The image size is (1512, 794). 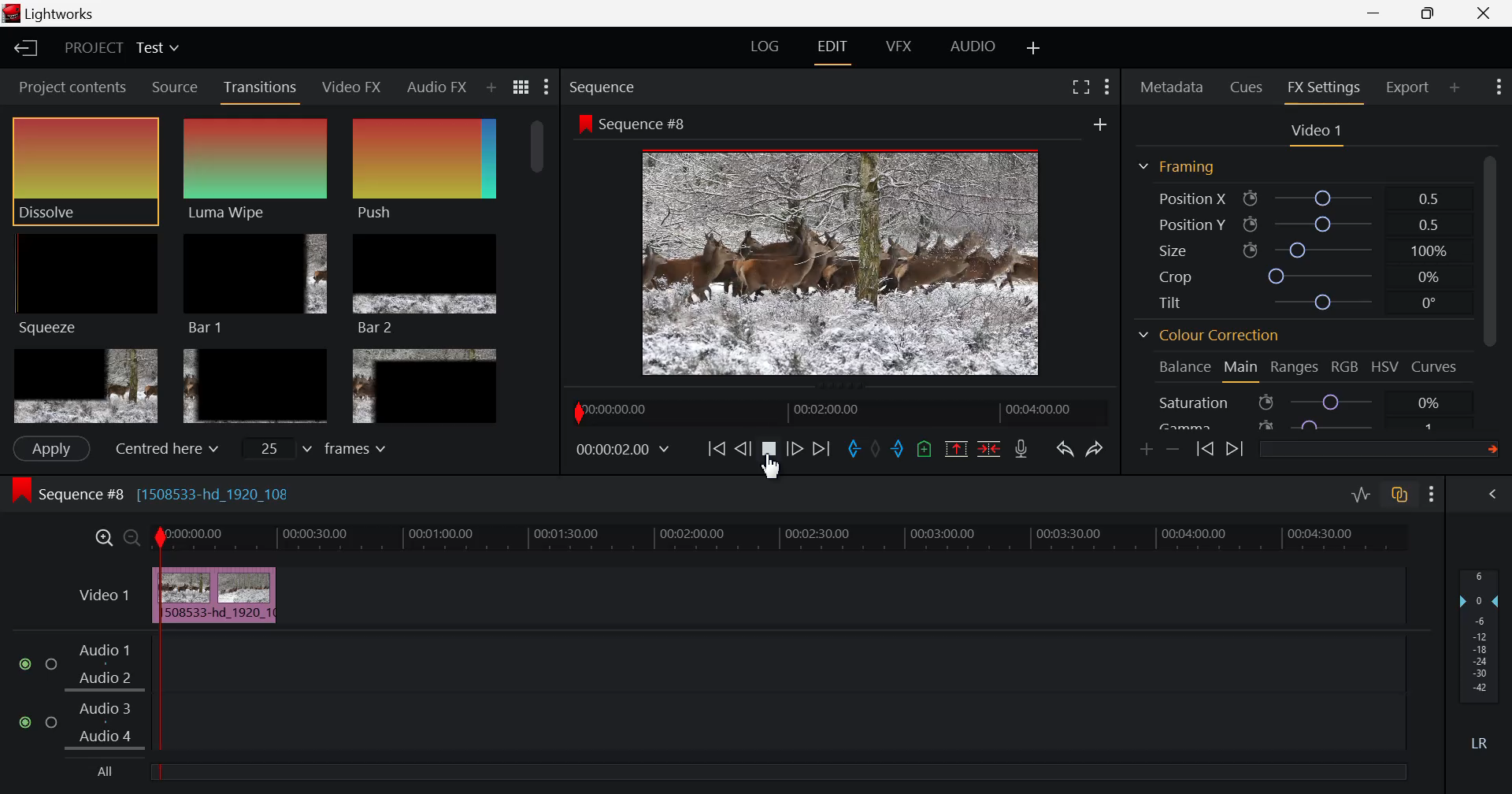 I want to click on Add panel, so click(x=1455, y=90).